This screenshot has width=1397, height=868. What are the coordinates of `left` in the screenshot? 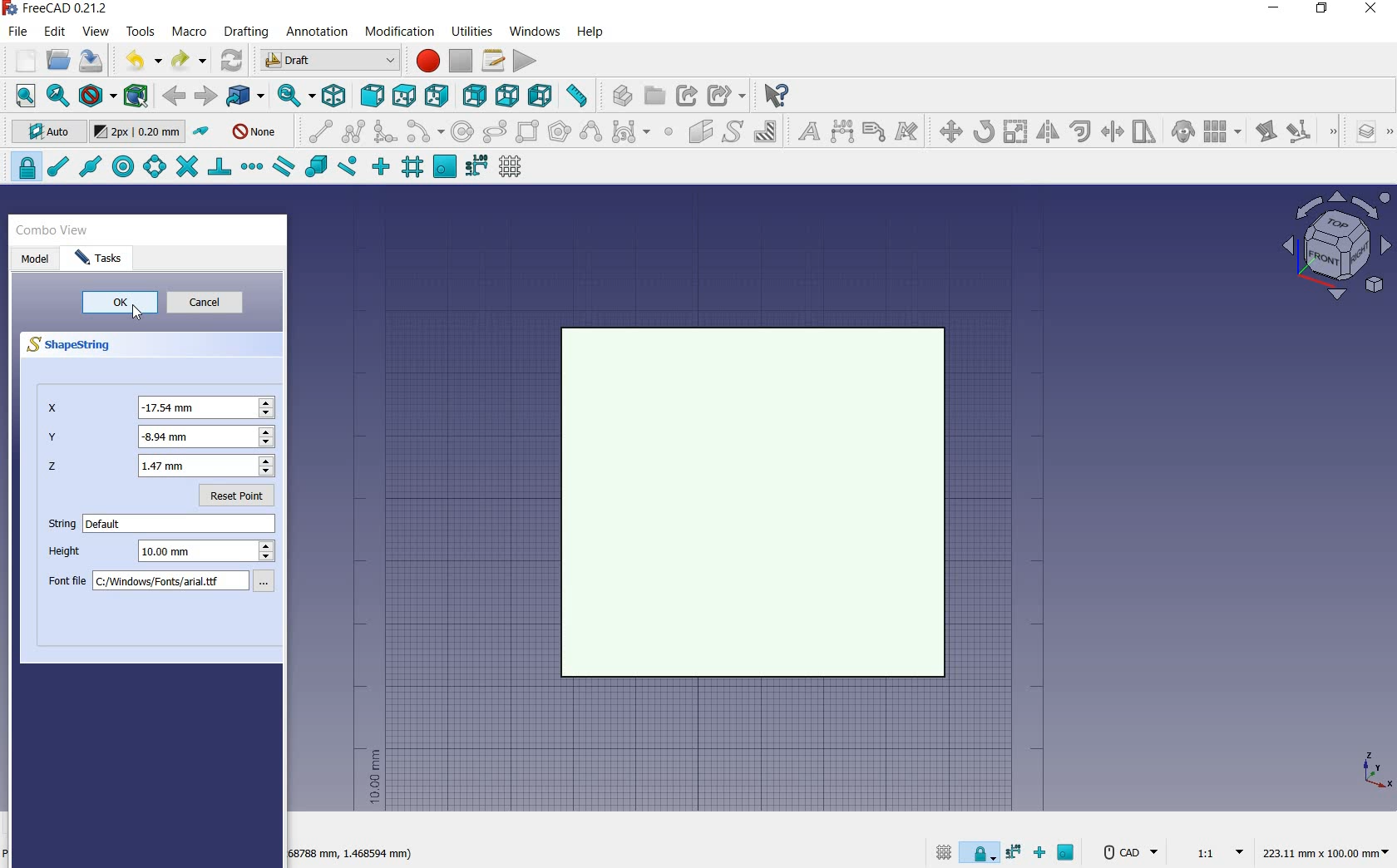 It's located at (544, 96).